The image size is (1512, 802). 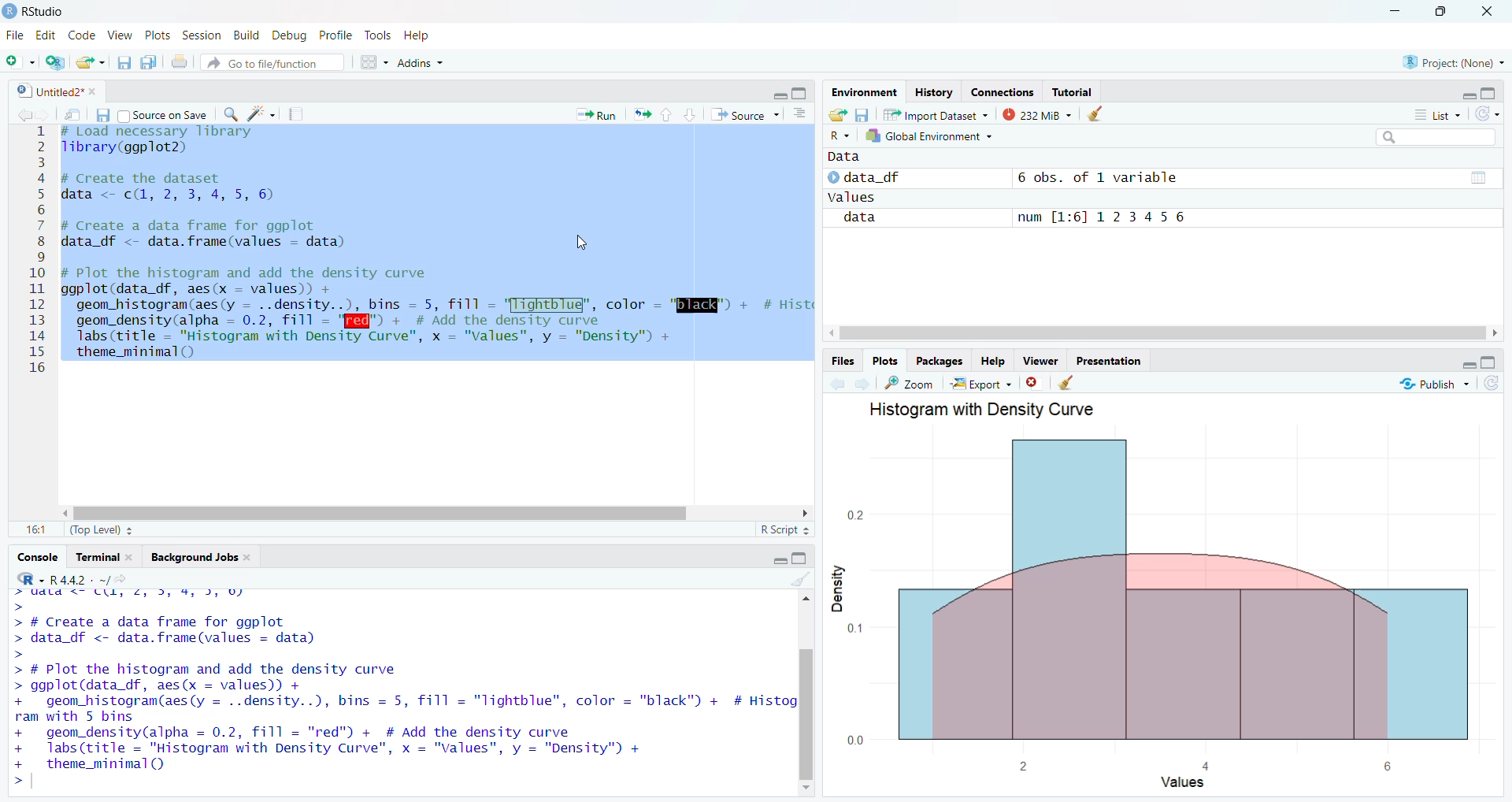 I want to click on load workspace, so click(x=837, y=114).